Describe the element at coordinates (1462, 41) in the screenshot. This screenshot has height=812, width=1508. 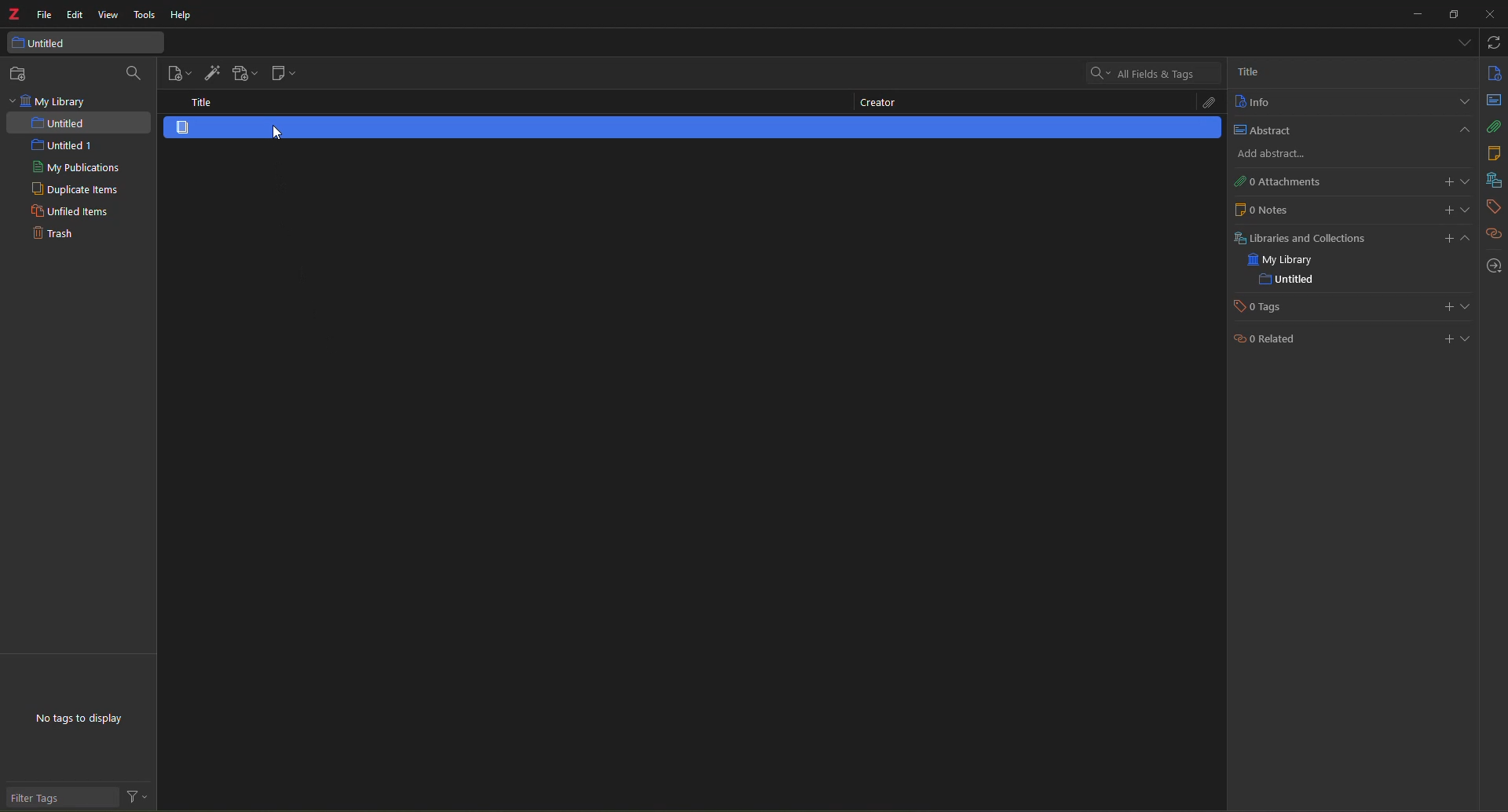
I see `tabs` at that location.